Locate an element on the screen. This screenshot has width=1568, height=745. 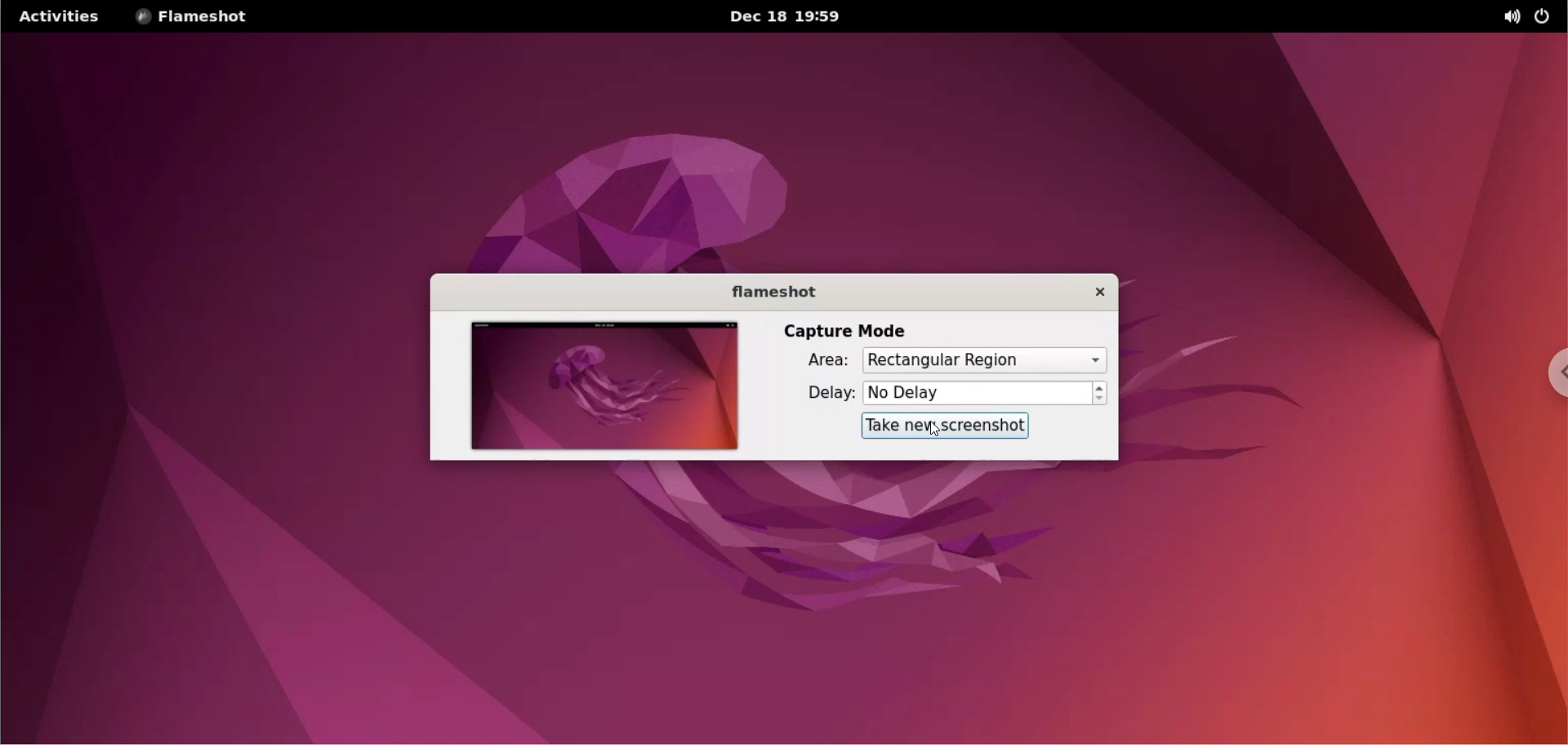
flameshot options is located at coordinates (194, 16).